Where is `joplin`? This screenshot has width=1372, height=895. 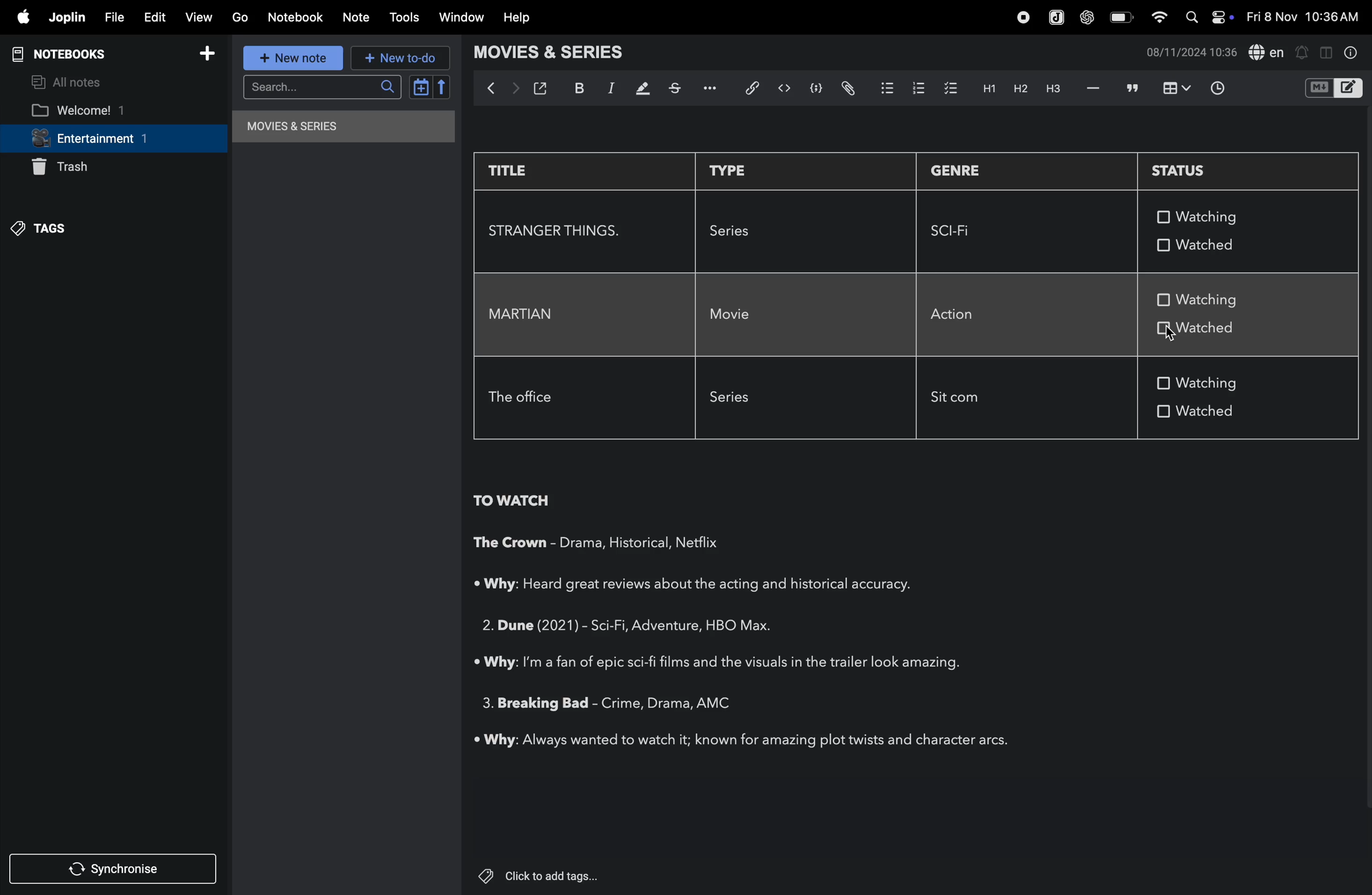 joplin is located at coordinates (66, 18).